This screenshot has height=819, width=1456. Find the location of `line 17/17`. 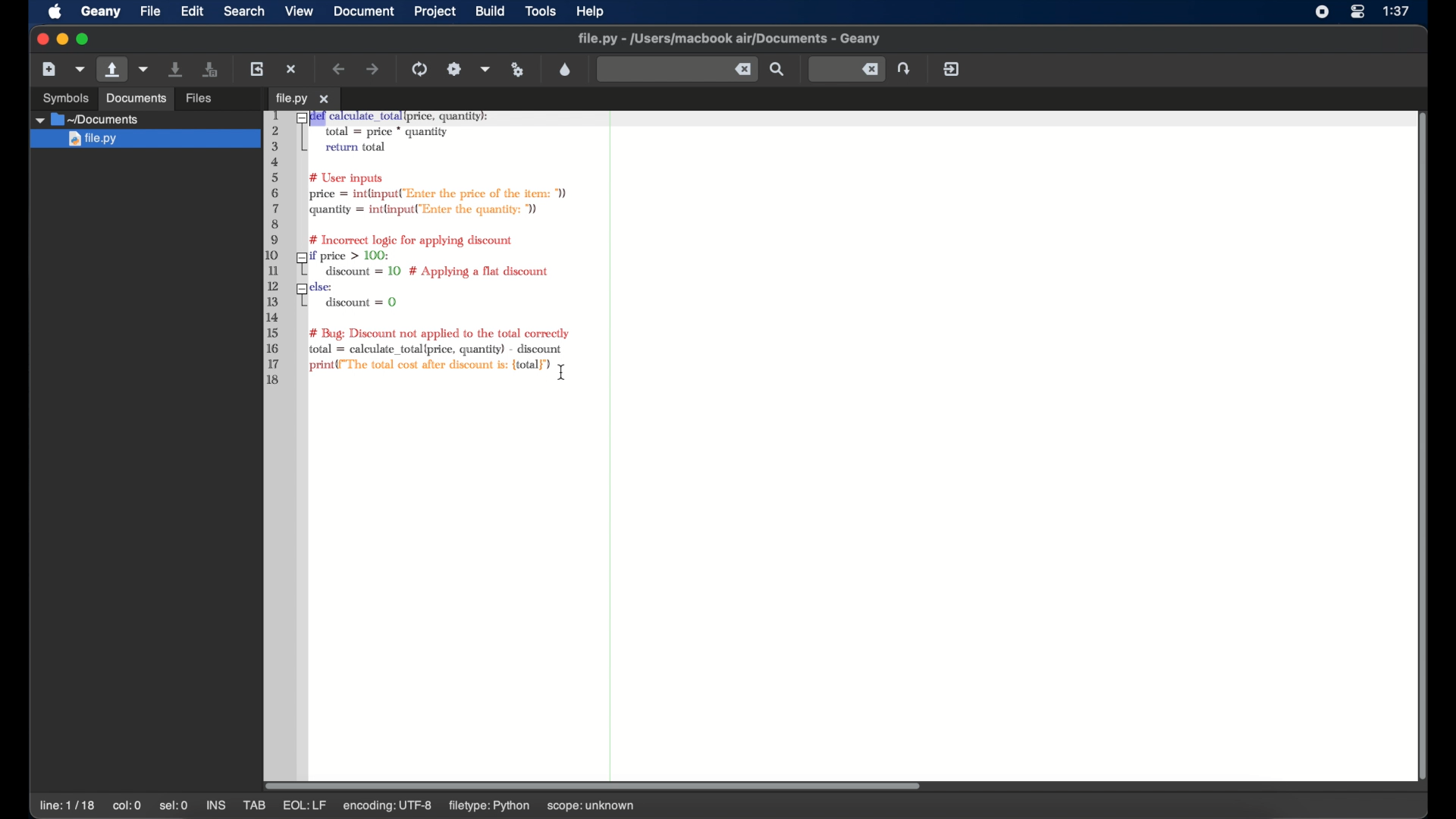

line 17/17 is located at coordinates (69, 805).